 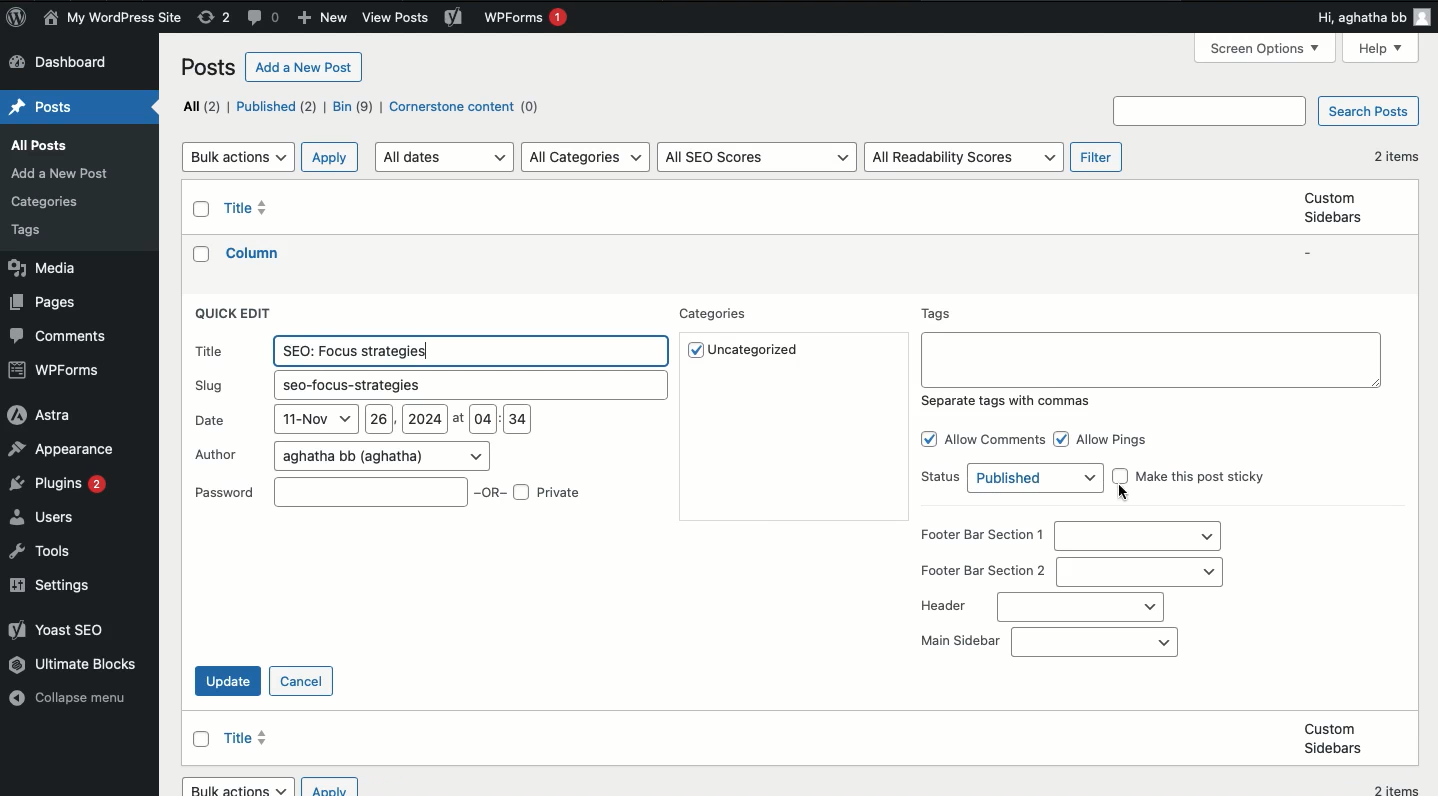 I want to click on All readability scores, so click(x=963, y=158).